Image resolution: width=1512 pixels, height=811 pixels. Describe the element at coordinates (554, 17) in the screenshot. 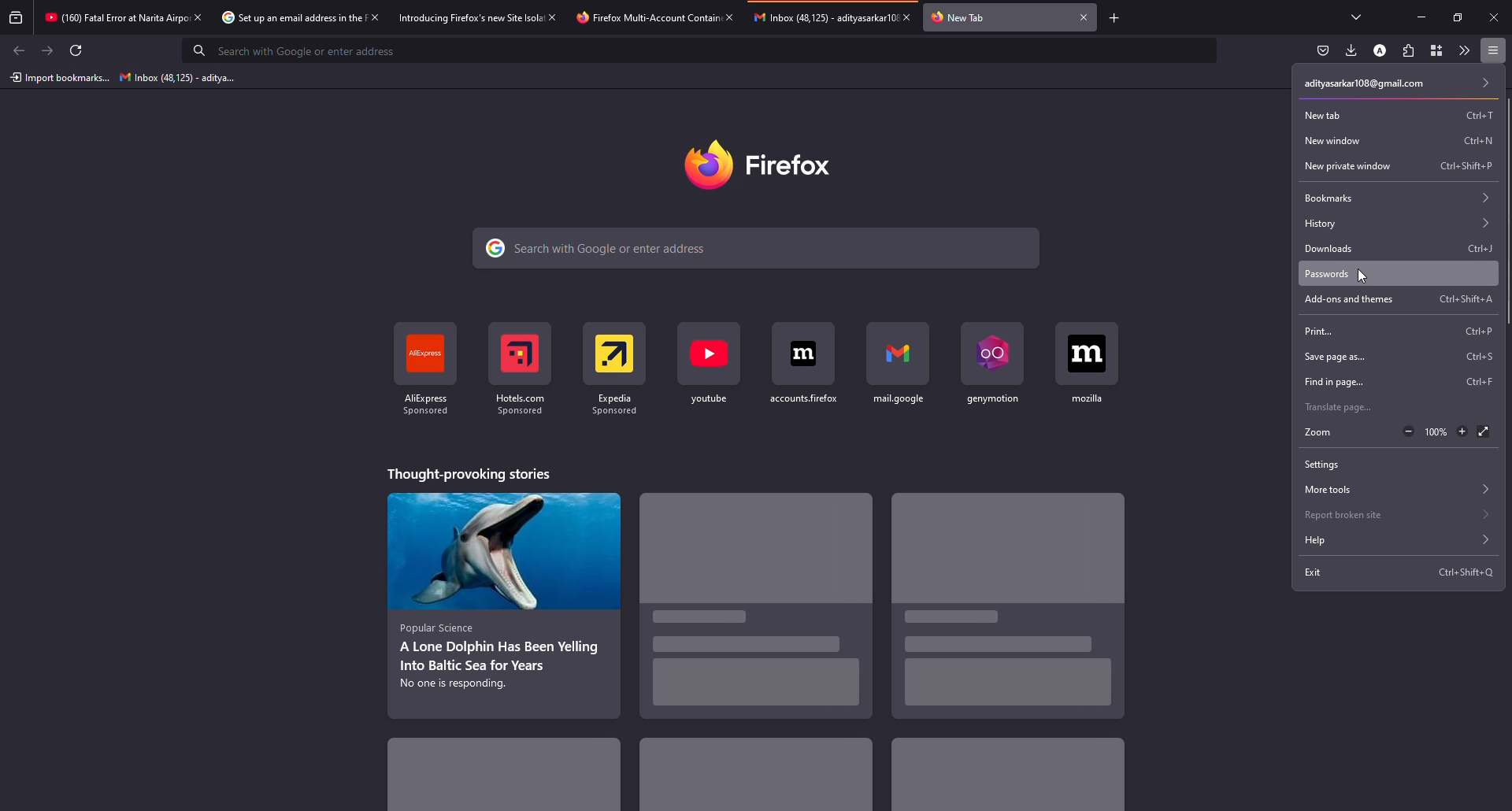

I see `close` at that location.